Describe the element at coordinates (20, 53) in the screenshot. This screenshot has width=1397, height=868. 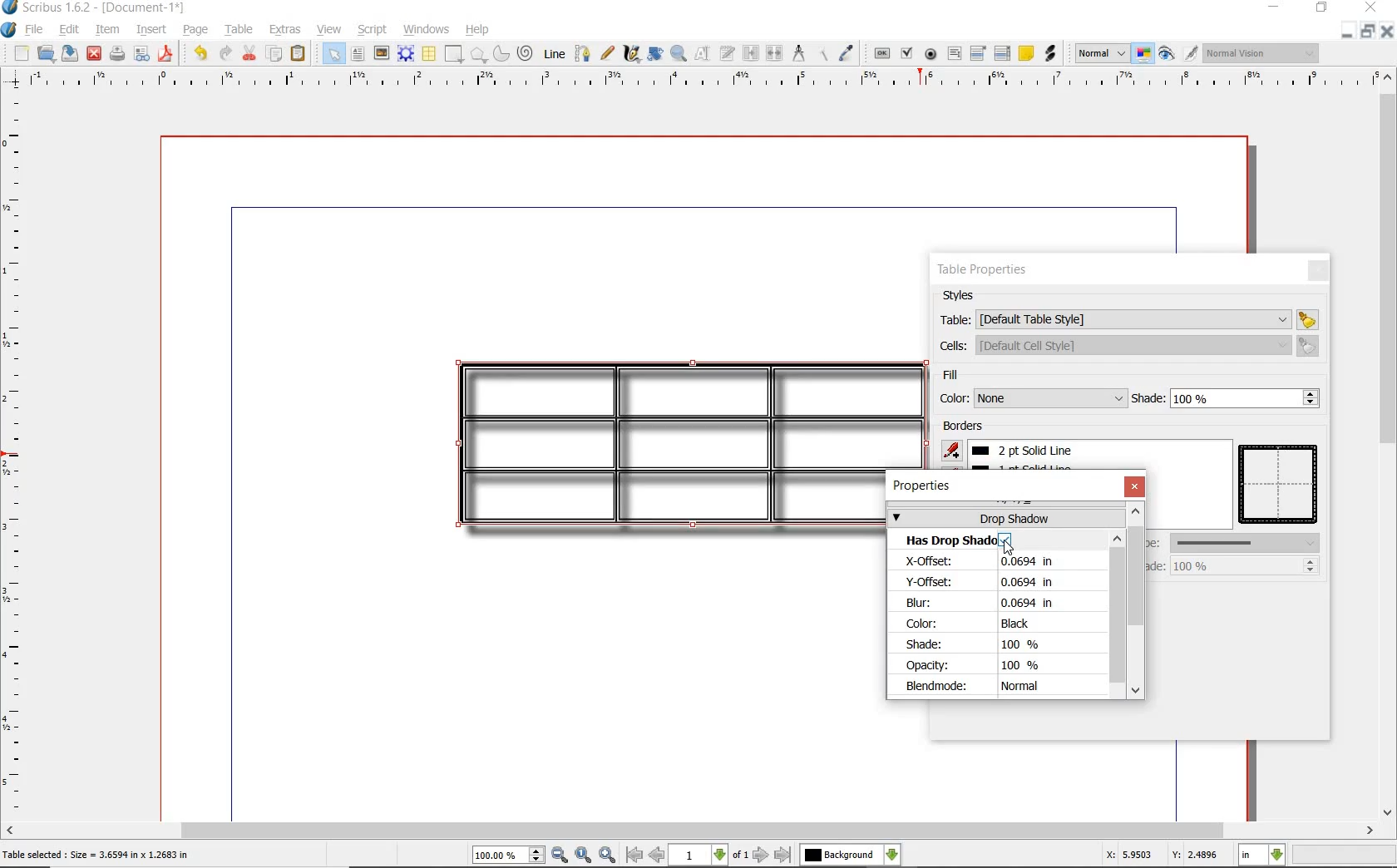
I see `new` at that location.